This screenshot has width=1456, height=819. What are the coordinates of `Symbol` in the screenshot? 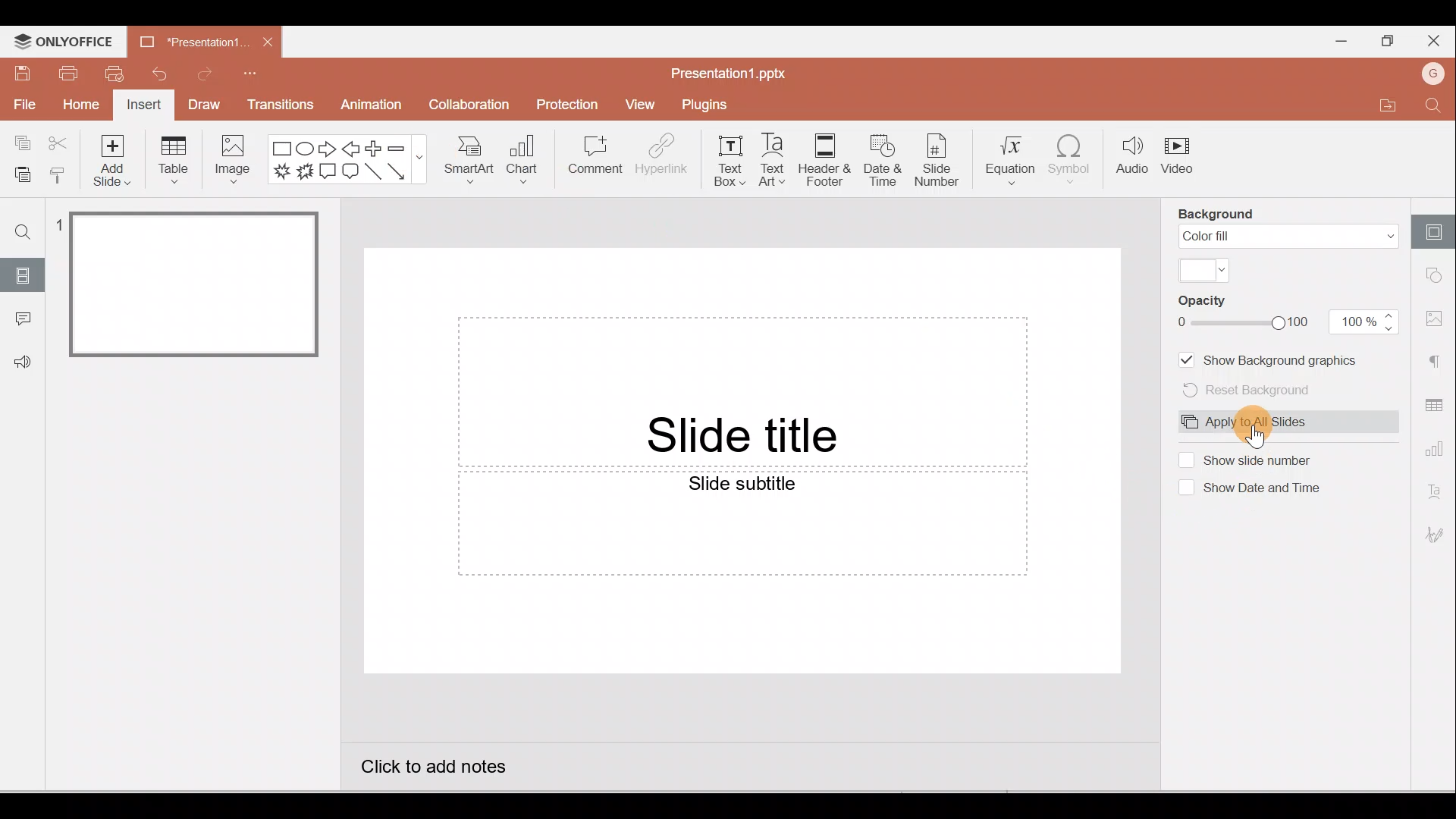 It's located at (1075, 160).